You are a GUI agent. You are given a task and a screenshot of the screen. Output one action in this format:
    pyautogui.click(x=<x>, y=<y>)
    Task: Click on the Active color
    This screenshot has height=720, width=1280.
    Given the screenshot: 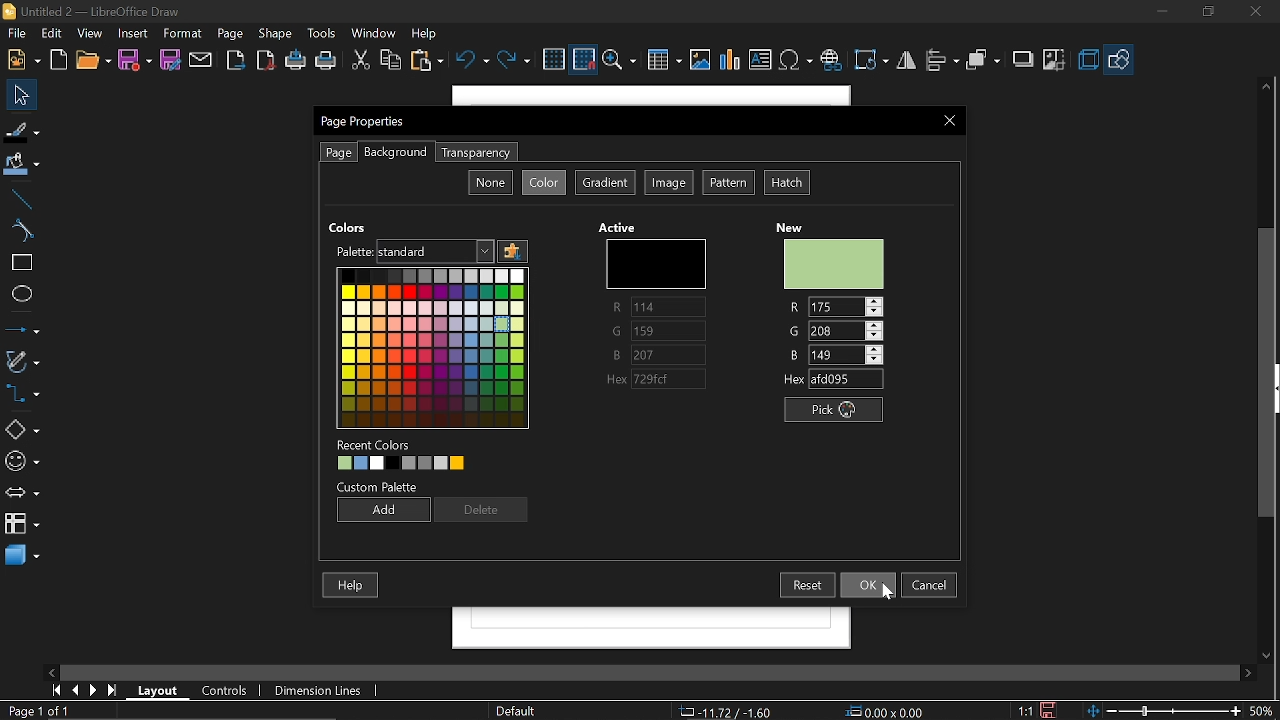 What is the action you would take?
    pyautogui.click(x=652, y=263)
    